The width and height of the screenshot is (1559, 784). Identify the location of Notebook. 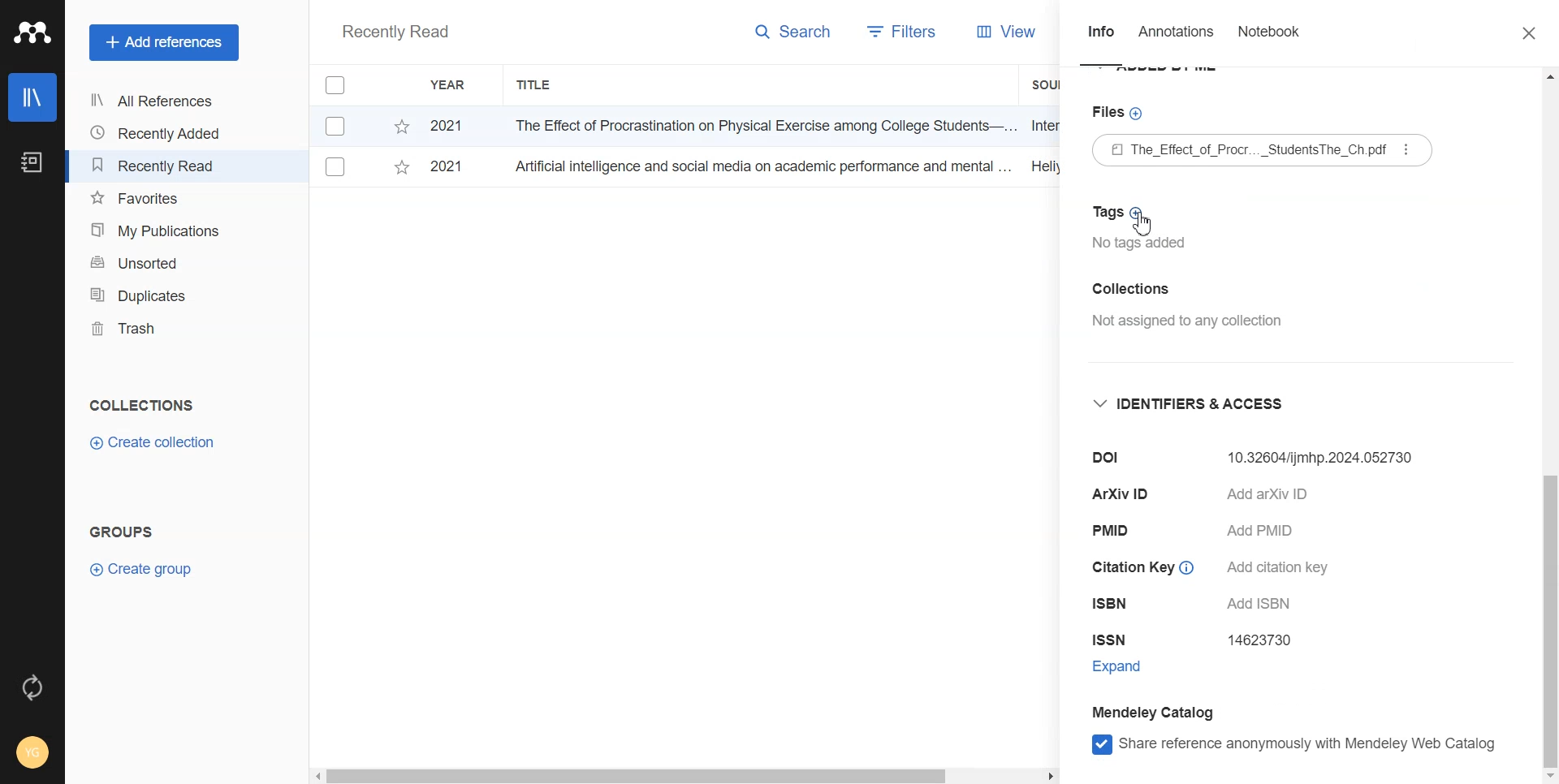
(30, 163).